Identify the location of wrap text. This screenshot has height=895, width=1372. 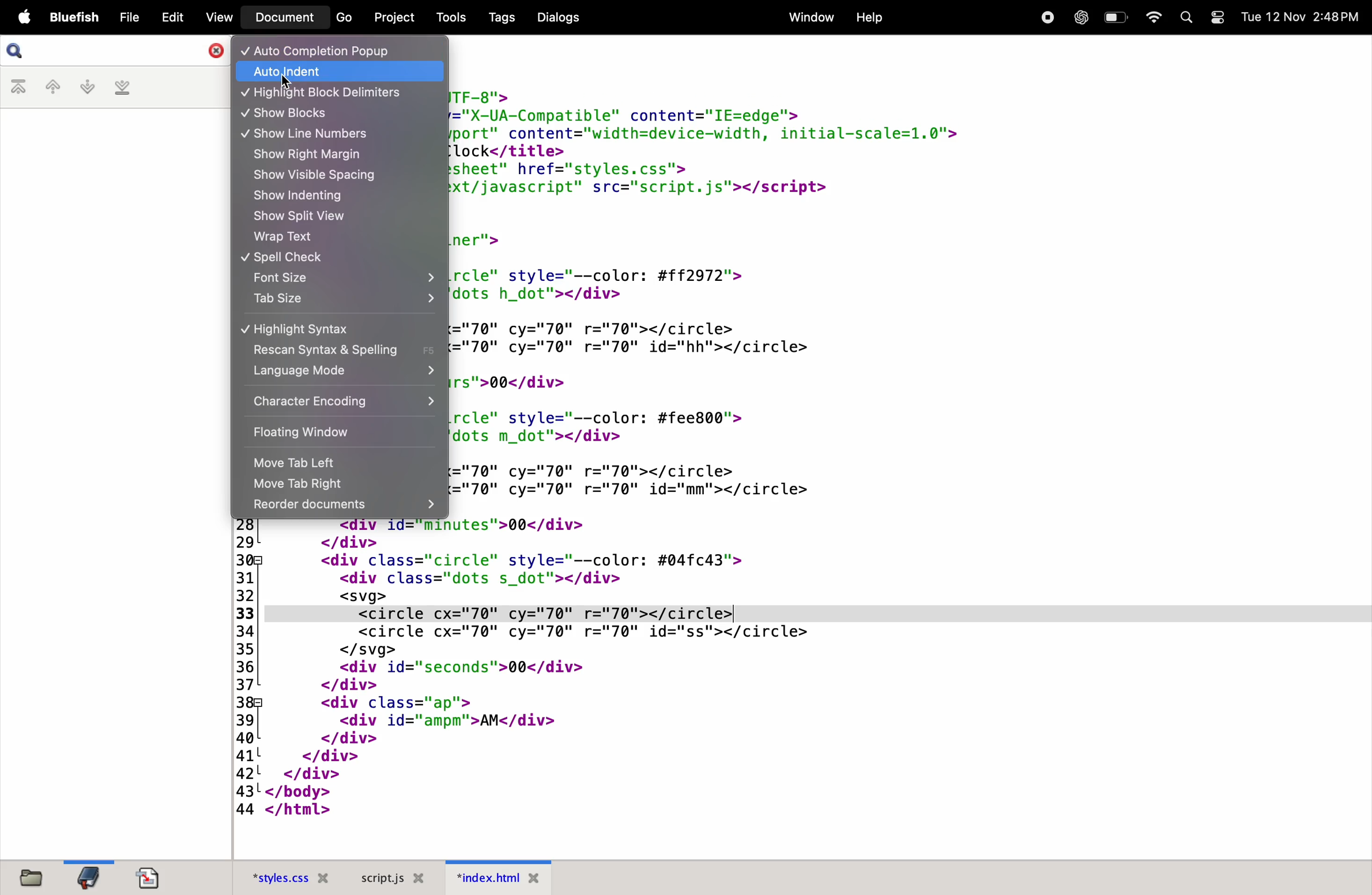
(337, 238).